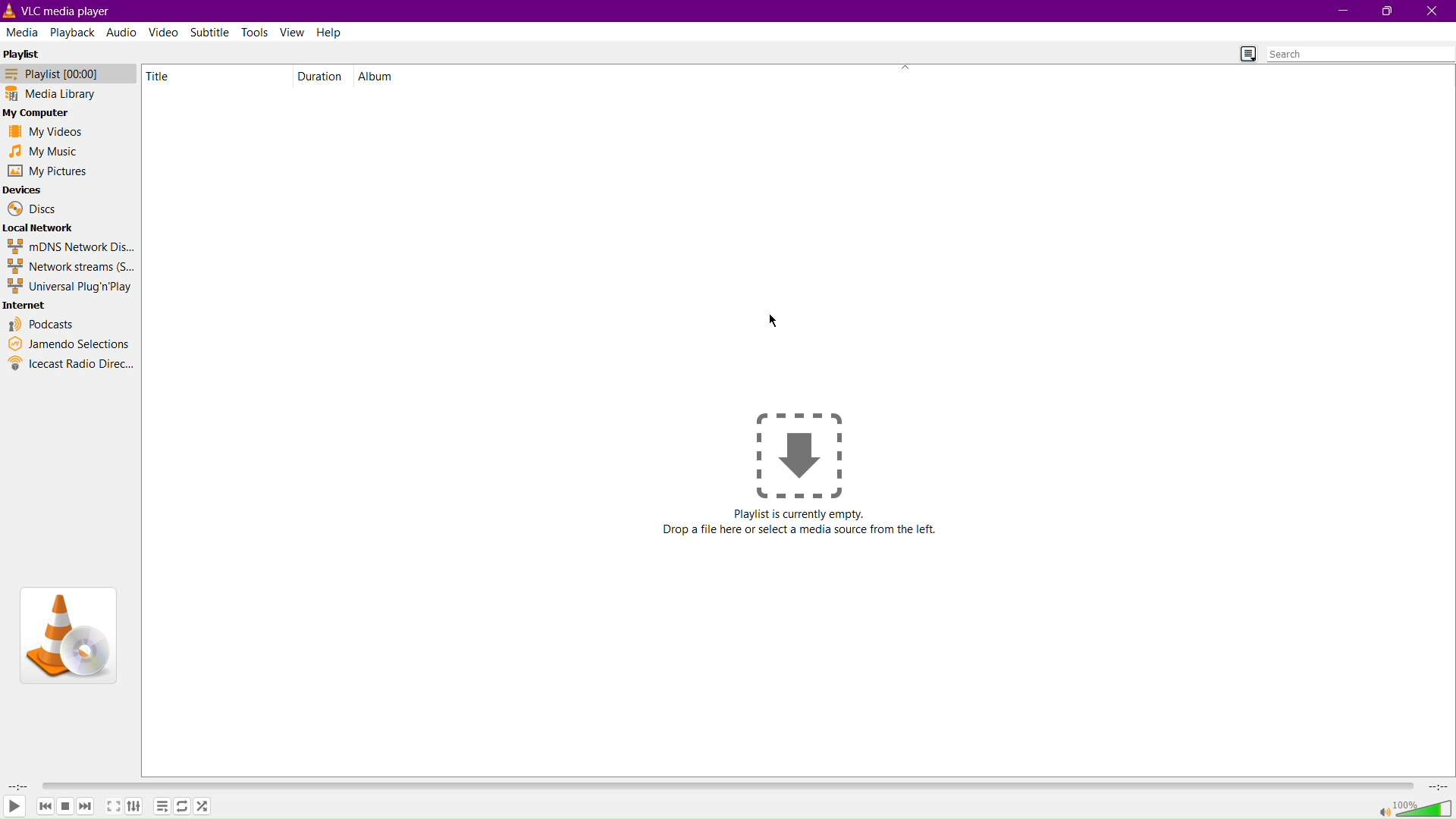 This screenshot has width=1456, height=819. What do you see at coordinates (181, 808) in the screenshot?
I see `Loop` at bounding box center [181, 808].